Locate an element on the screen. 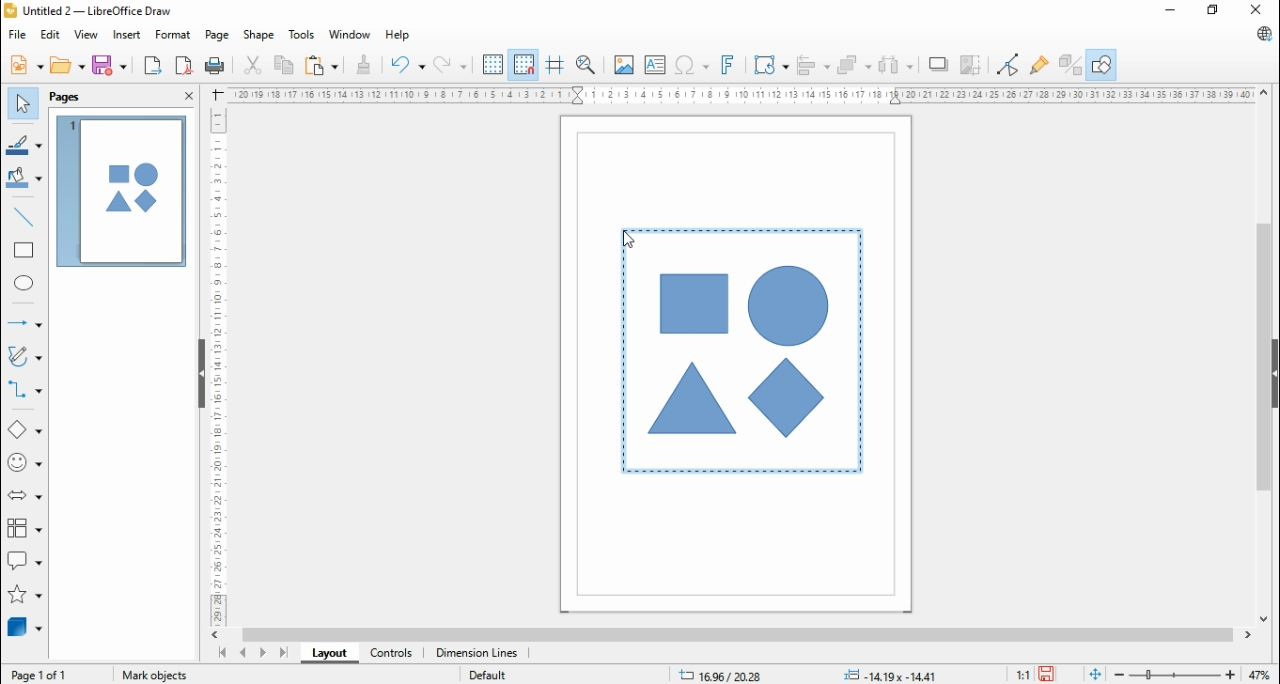 The image size is (1280, 684). fill color is located at coordinates (24, 178).